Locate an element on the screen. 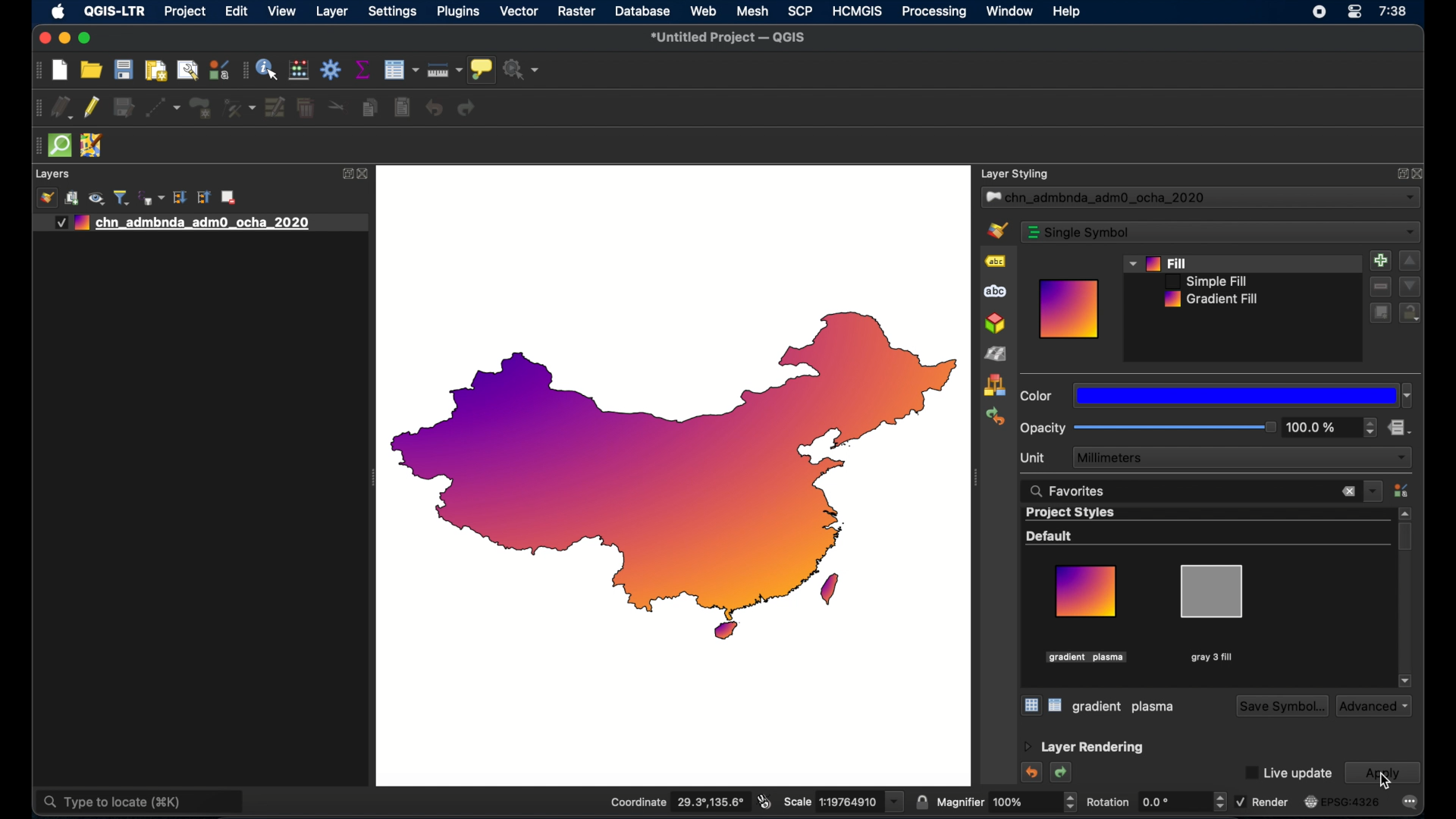 This screenshot has width=1456, height=819. mesh is located at coordinates (752, 11).